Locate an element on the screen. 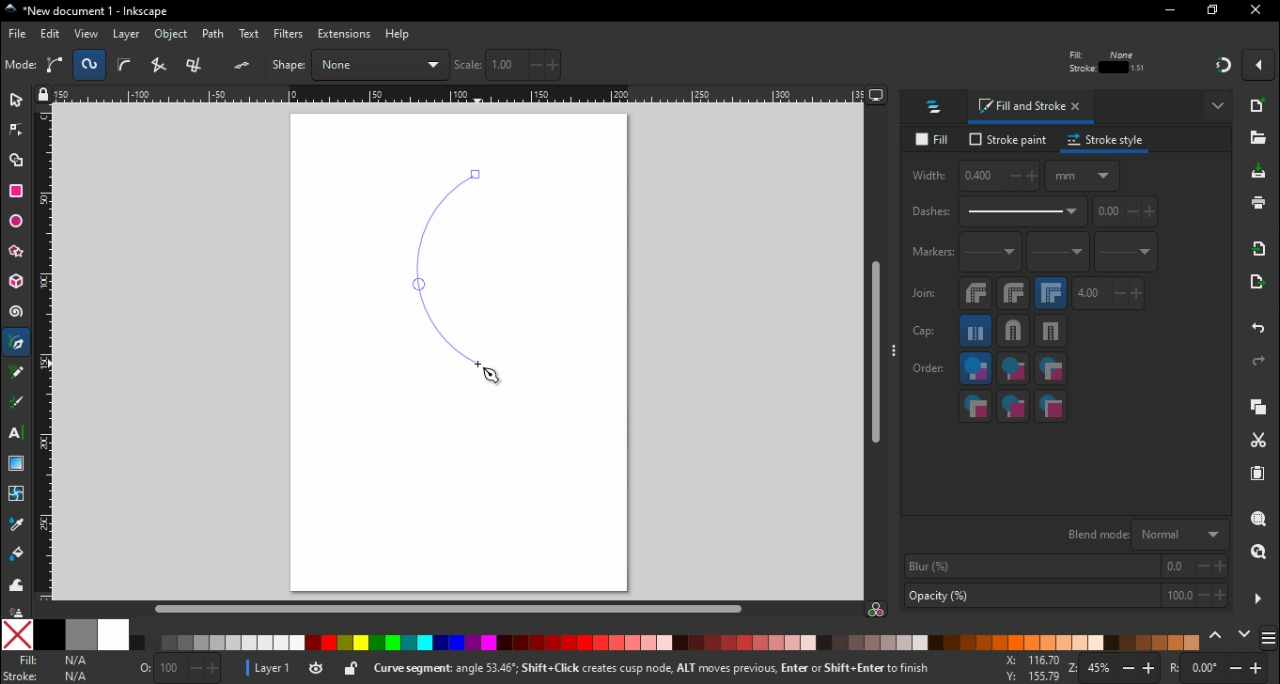  ellipse / arc tool is located at coordinates (16, 220).